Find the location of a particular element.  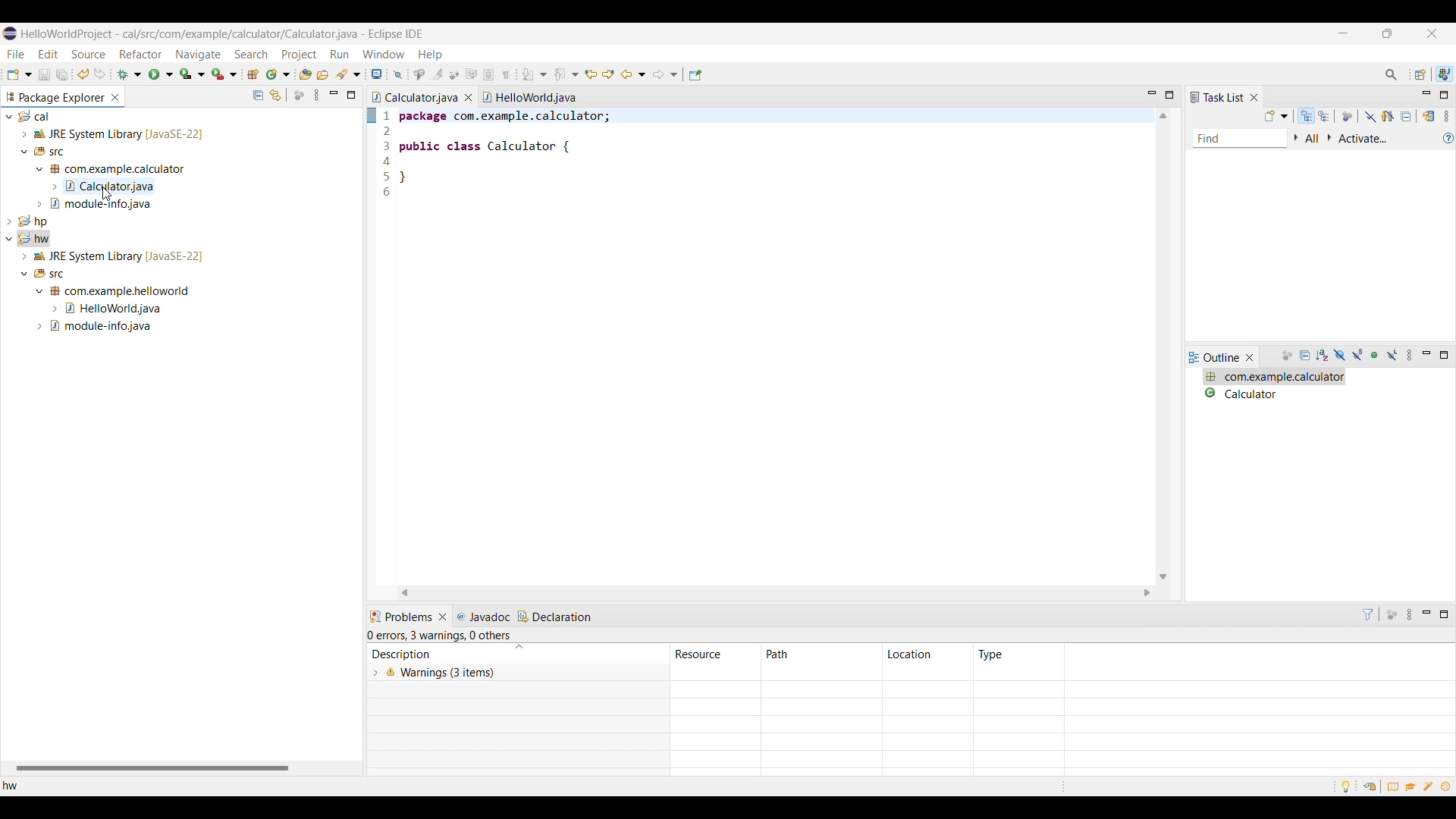

Minimize is located at coordinates (1153, 95).